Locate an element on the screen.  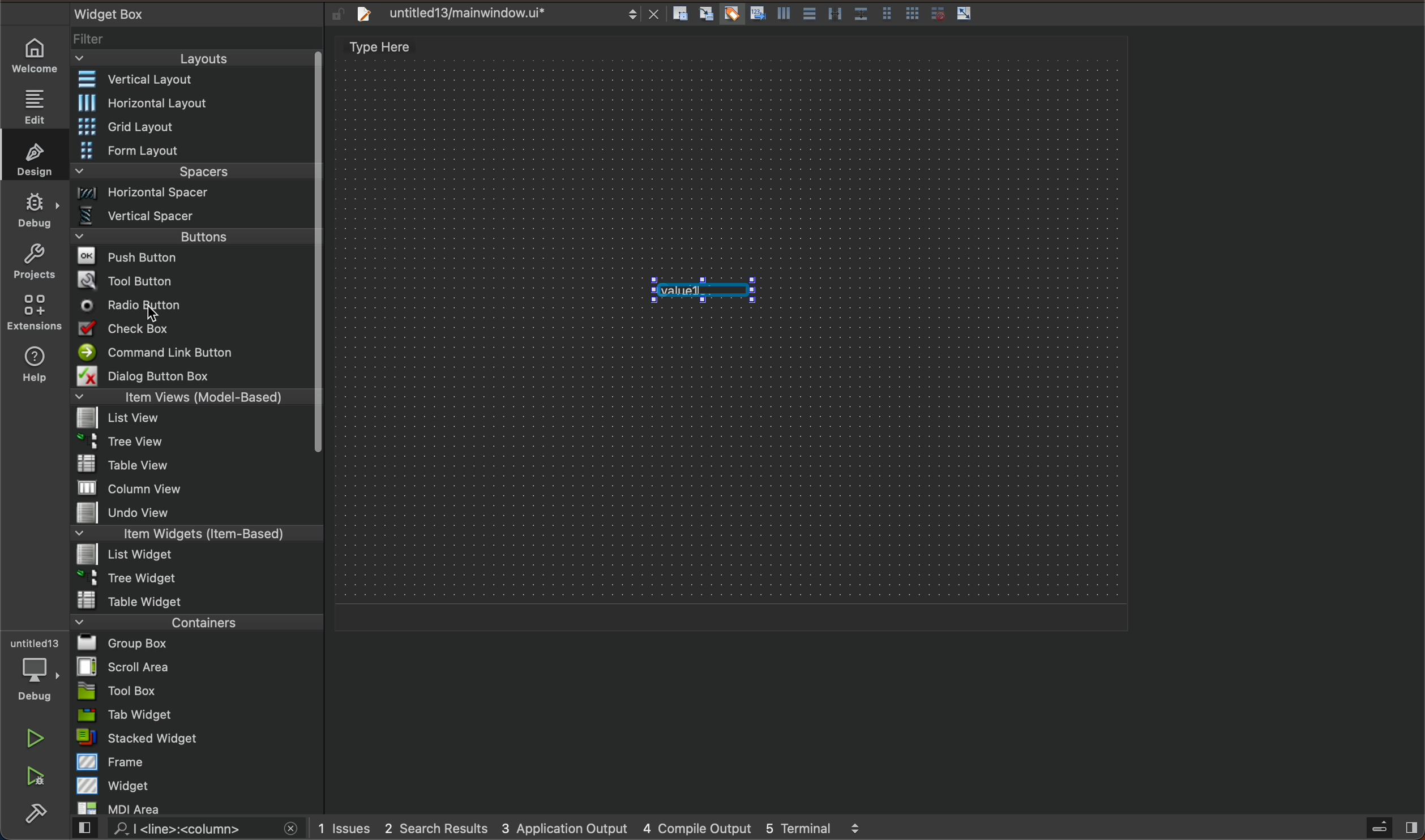
 is located at coordinates (194, 152).